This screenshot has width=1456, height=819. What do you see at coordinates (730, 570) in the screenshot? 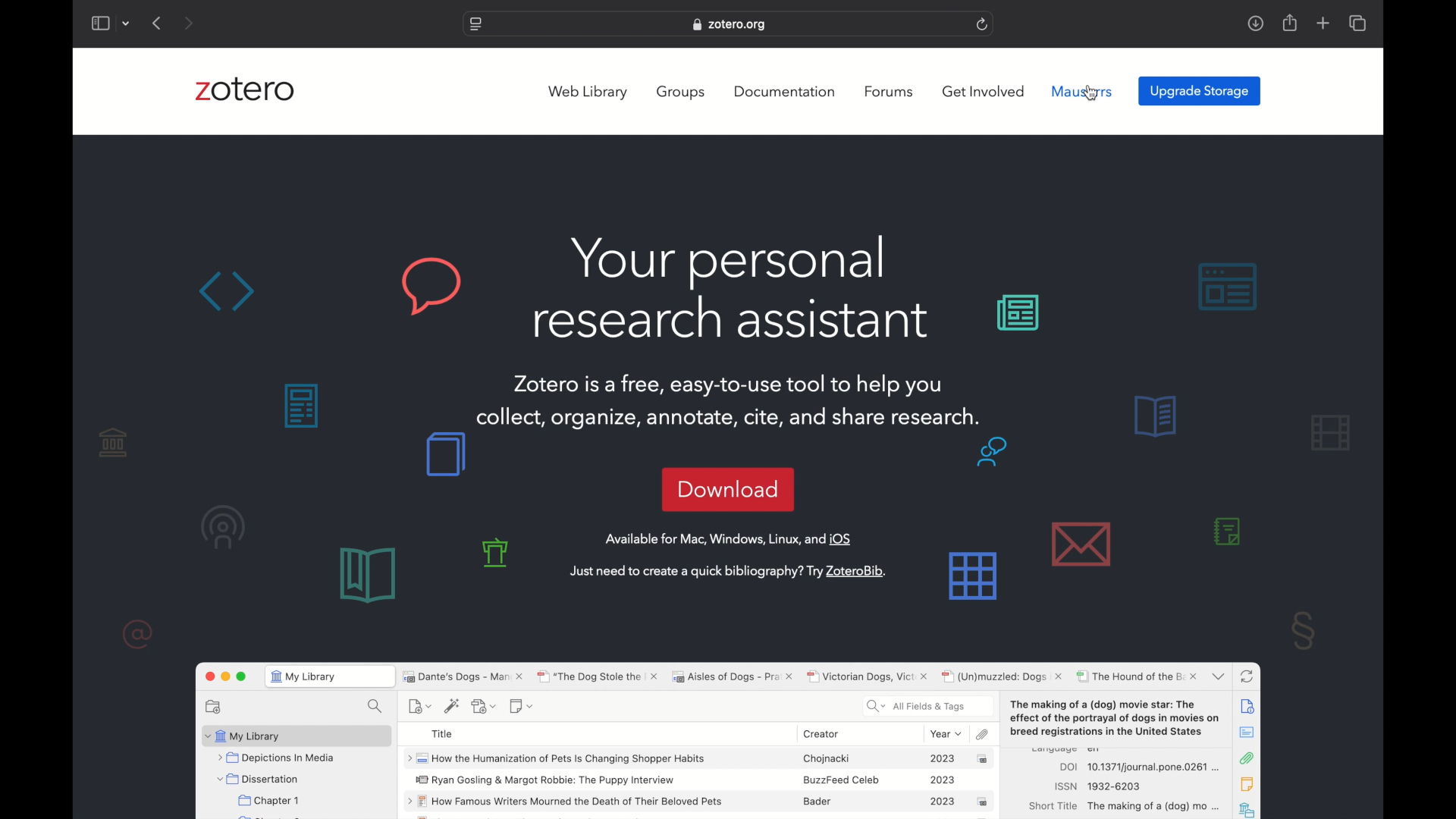
I see `just need to create a quick bibliography` at bounding box center [730, 570].